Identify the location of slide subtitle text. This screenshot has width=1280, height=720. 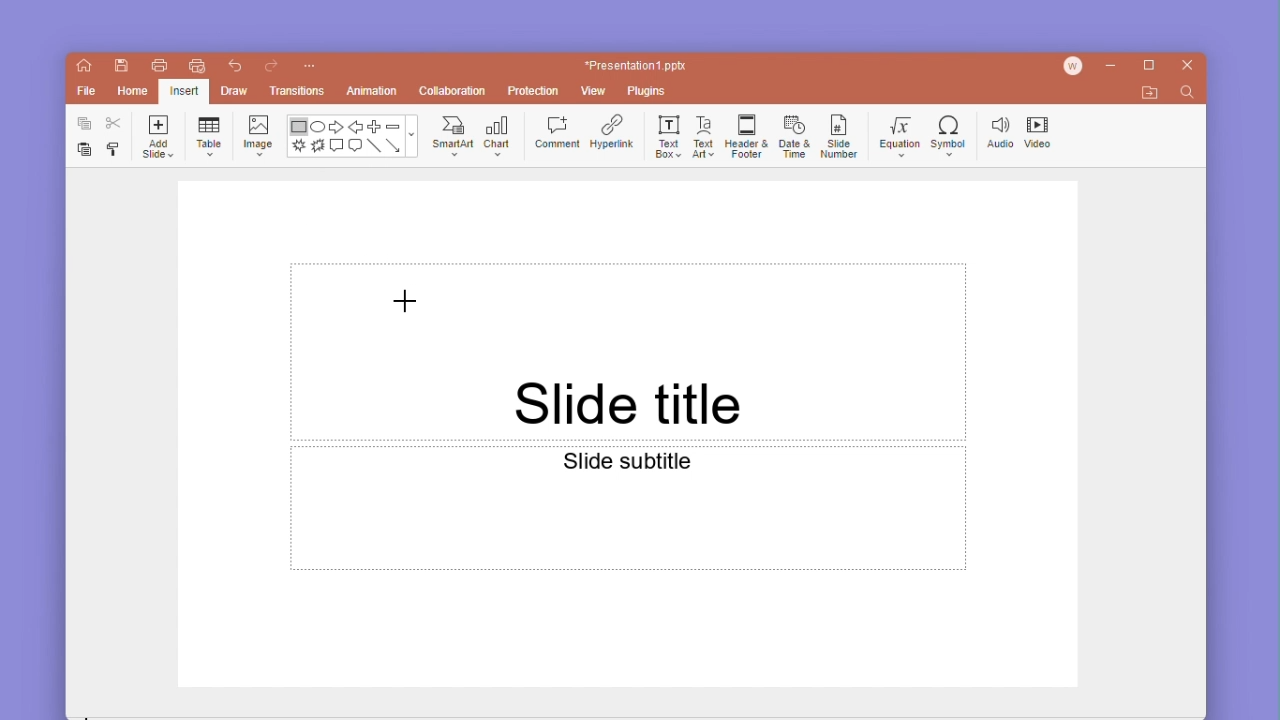
(628, 509).